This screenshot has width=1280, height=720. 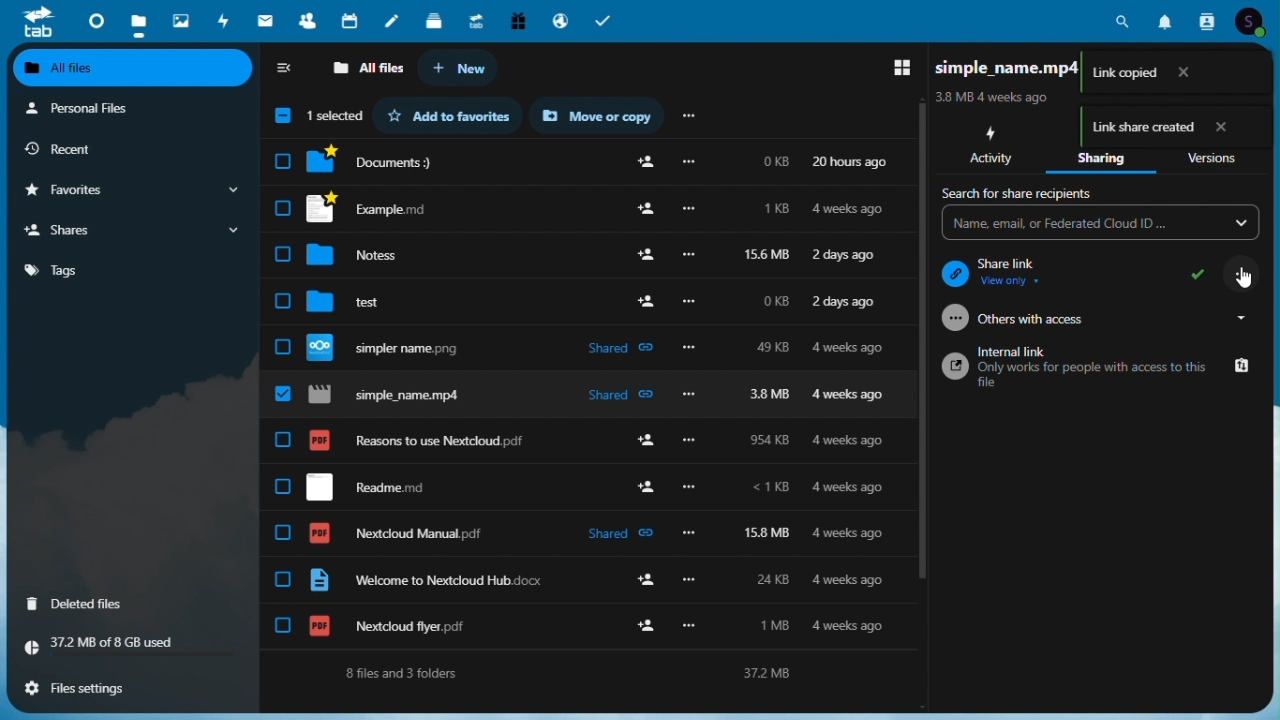 I want to click on Upgrade, so click(x=476, y=20).